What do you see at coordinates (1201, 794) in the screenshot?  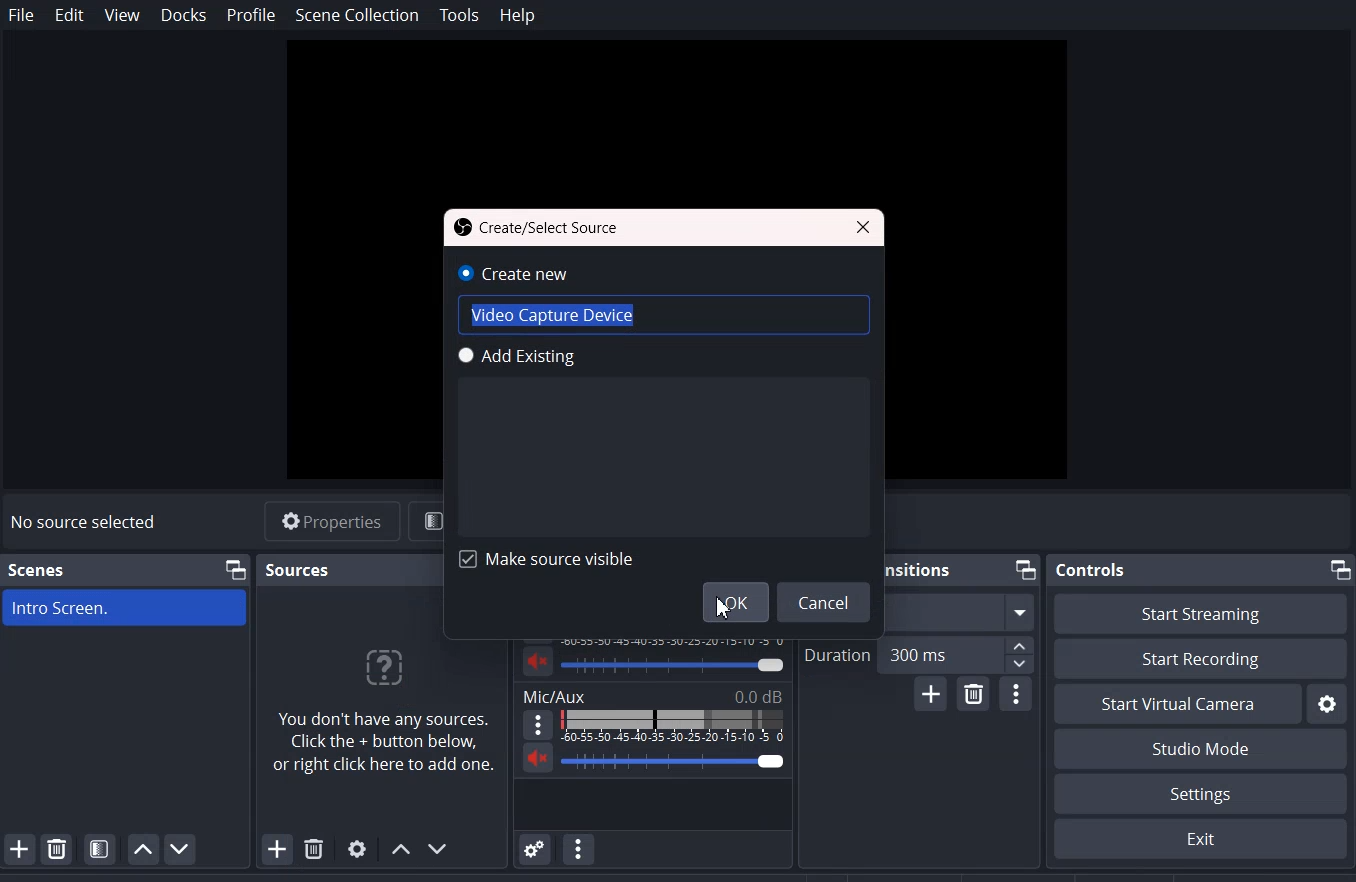 I see `Settings` at bounding box center [1201, 794].